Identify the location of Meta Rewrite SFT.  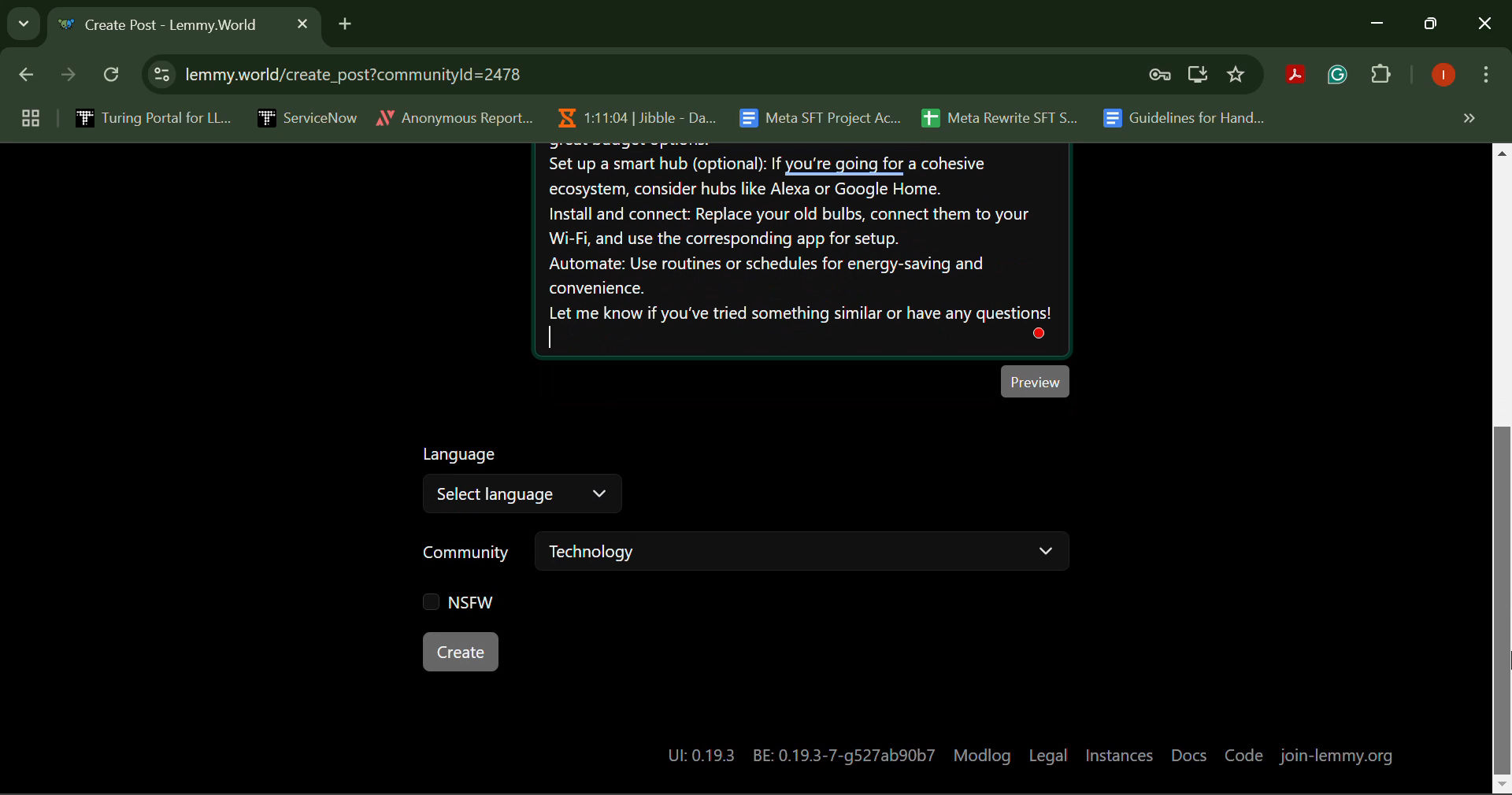
(1006, 116).